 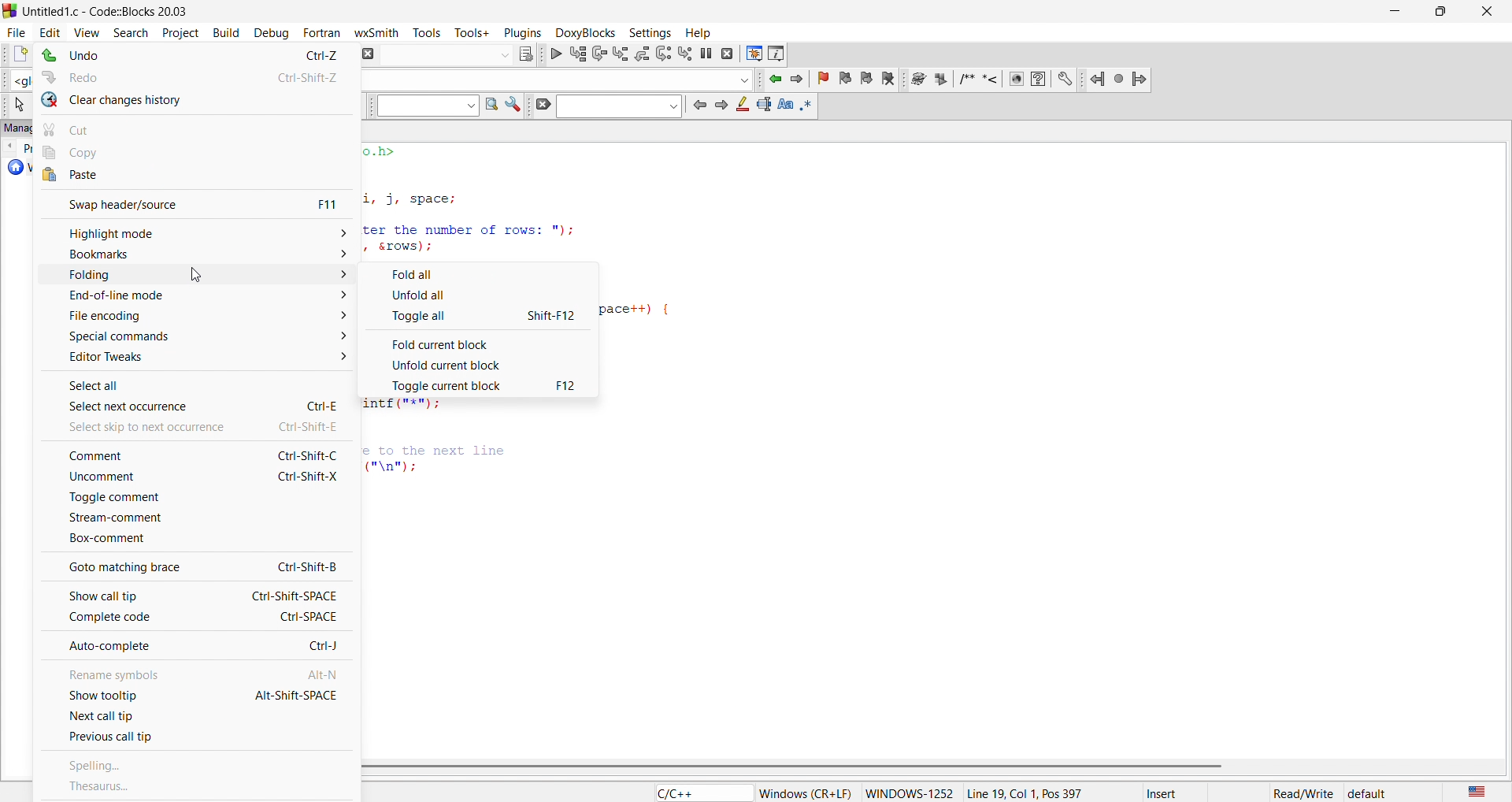 I want to click on break debugging, so click(x=707, y=54).